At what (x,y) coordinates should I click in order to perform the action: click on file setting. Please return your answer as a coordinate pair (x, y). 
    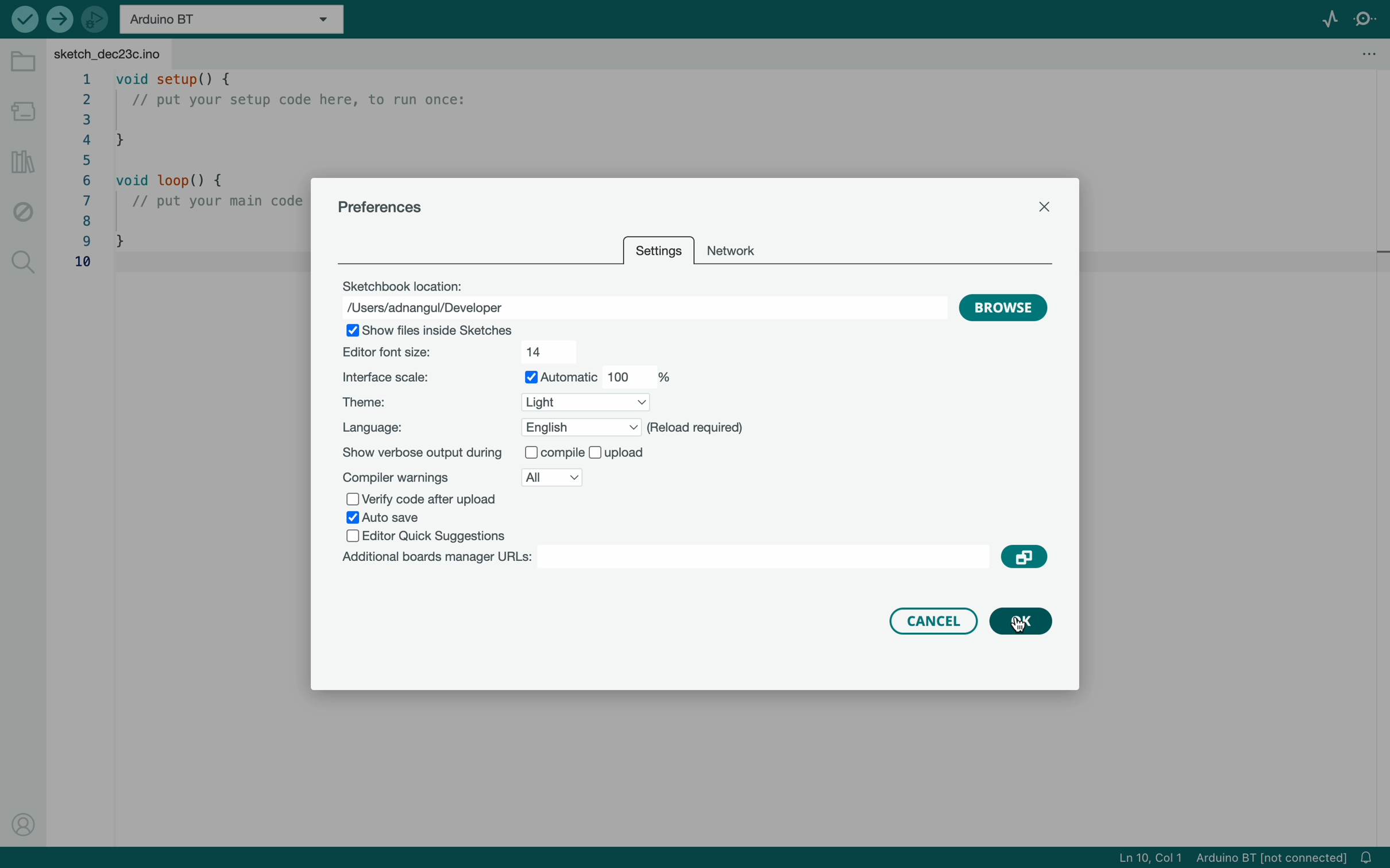
    Looking at the image, I should click on (1368, 53).